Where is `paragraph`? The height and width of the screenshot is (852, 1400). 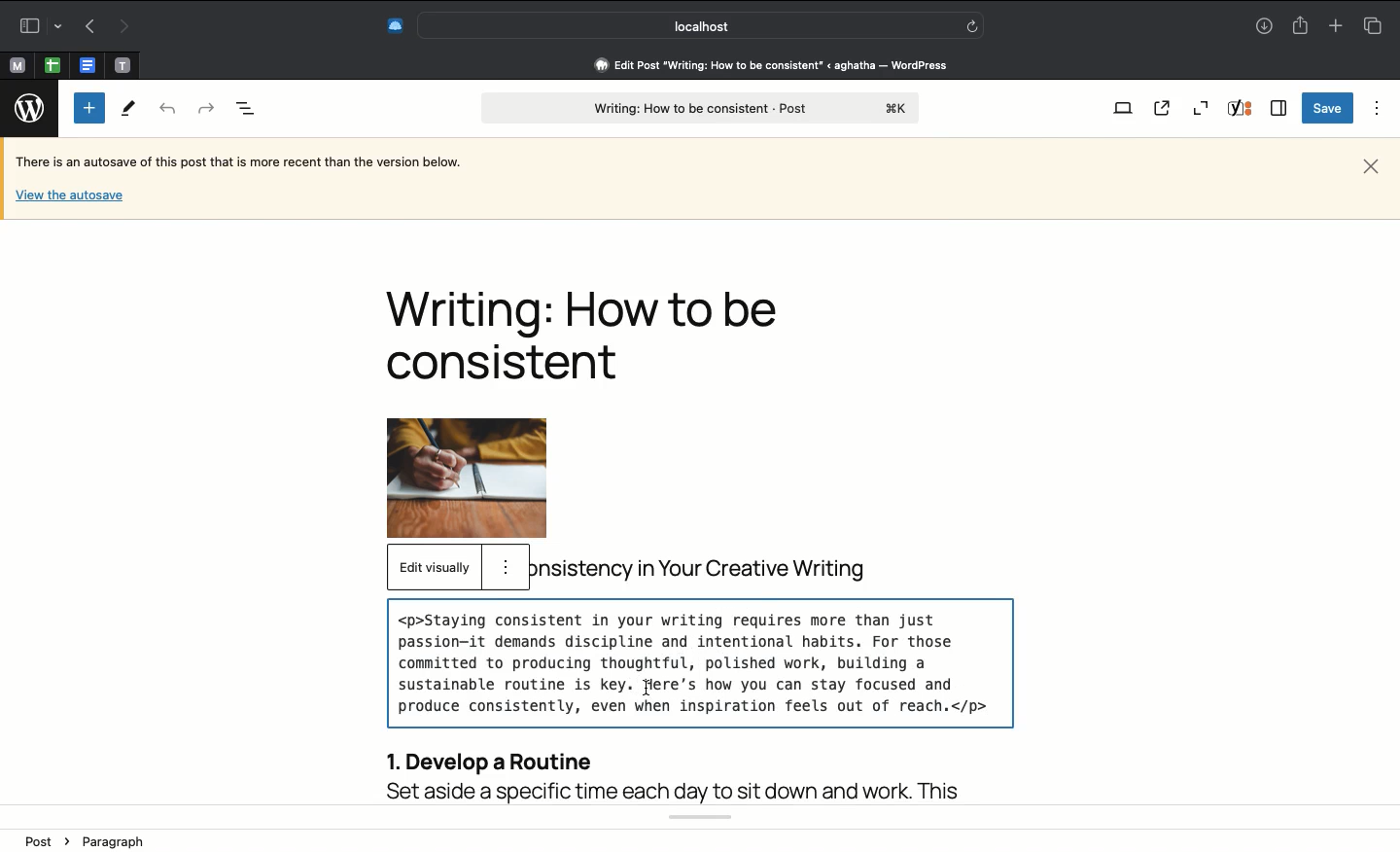 paragraph is located at coordinates (123, 839).